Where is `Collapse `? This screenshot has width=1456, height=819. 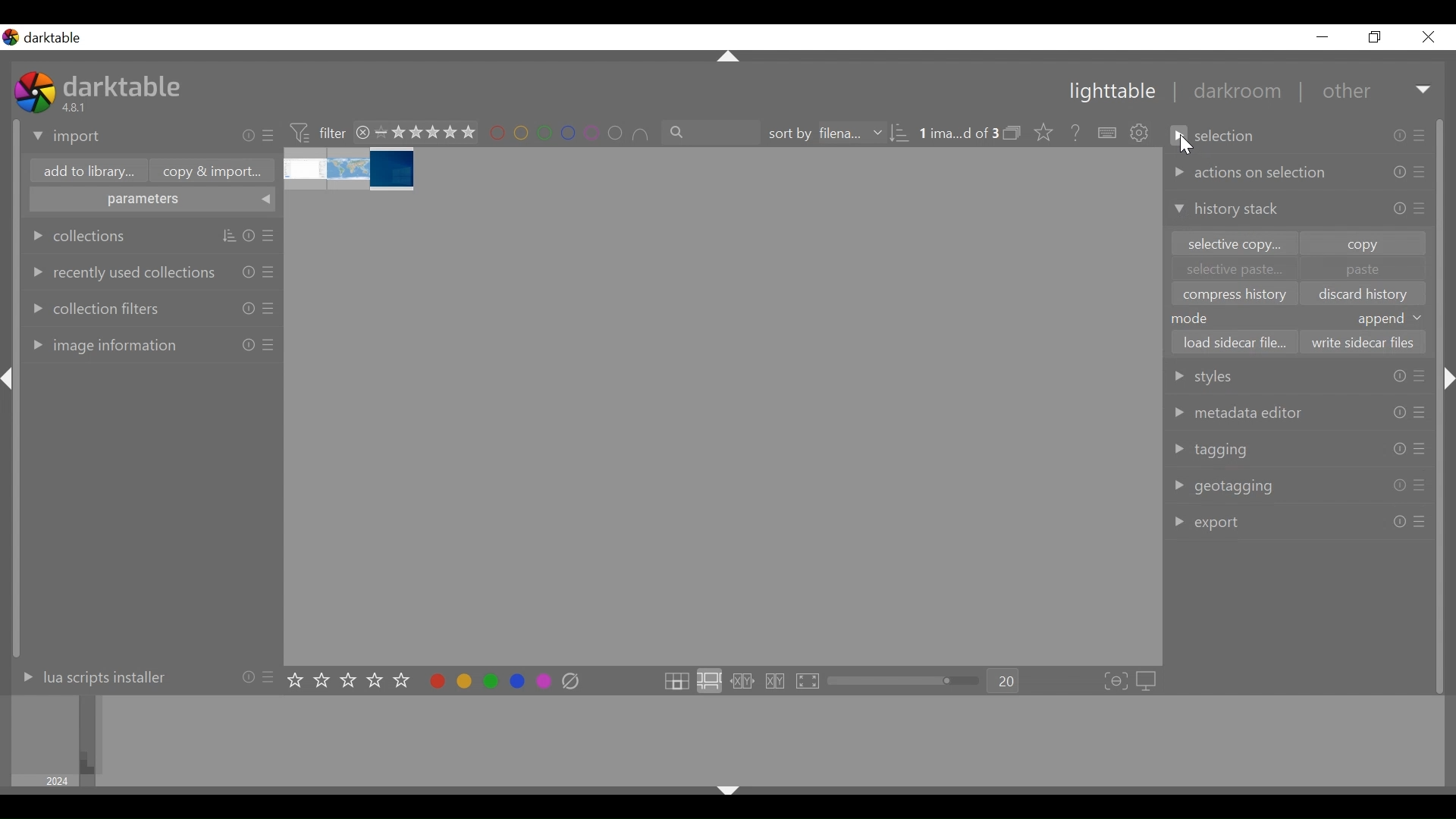 Collapse  is located at coordinates (1450, 379).